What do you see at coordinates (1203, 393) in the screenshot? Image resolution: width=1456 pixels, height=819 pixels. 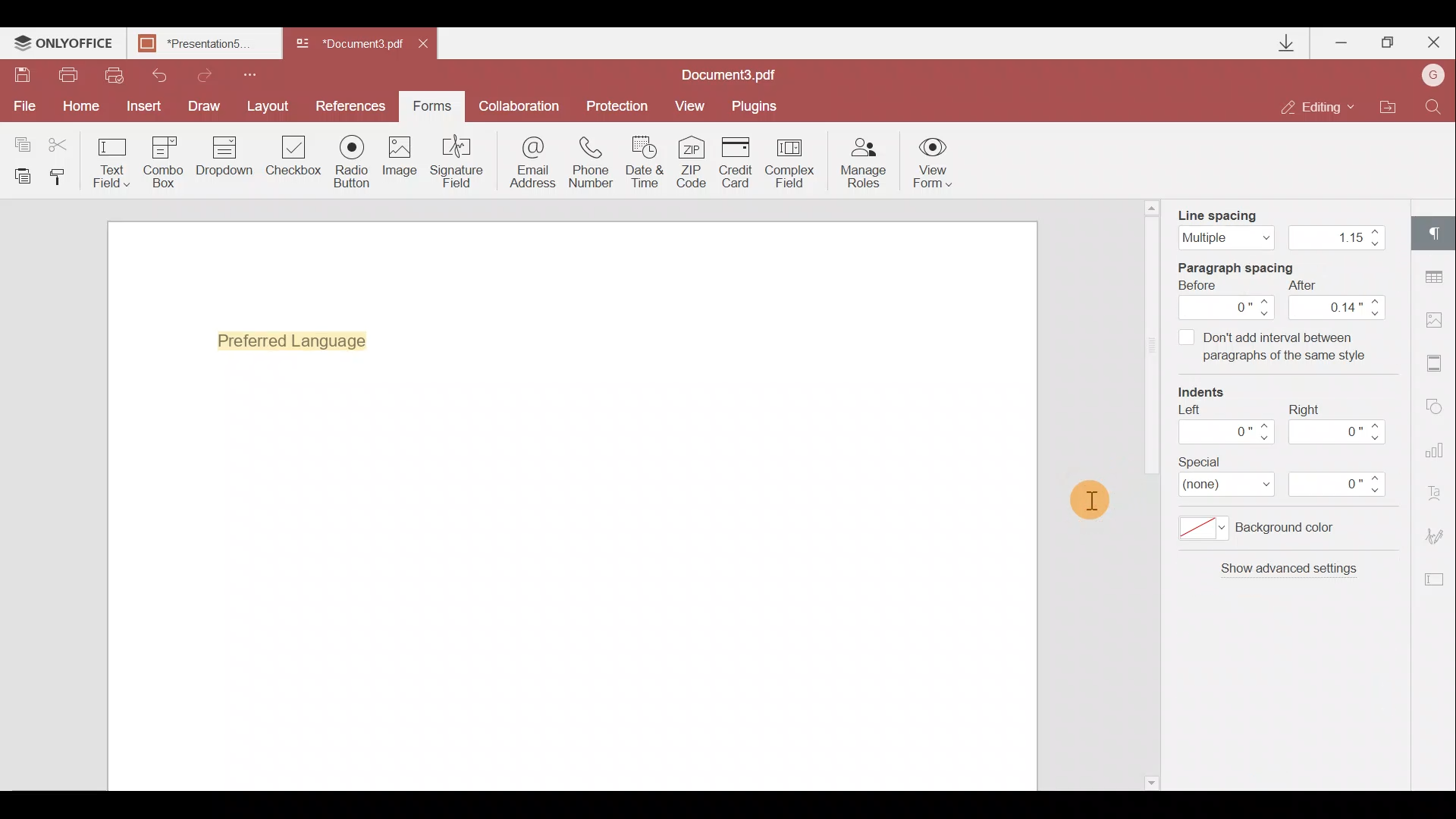 I see `Indents` at bounding box center [1203, 393].